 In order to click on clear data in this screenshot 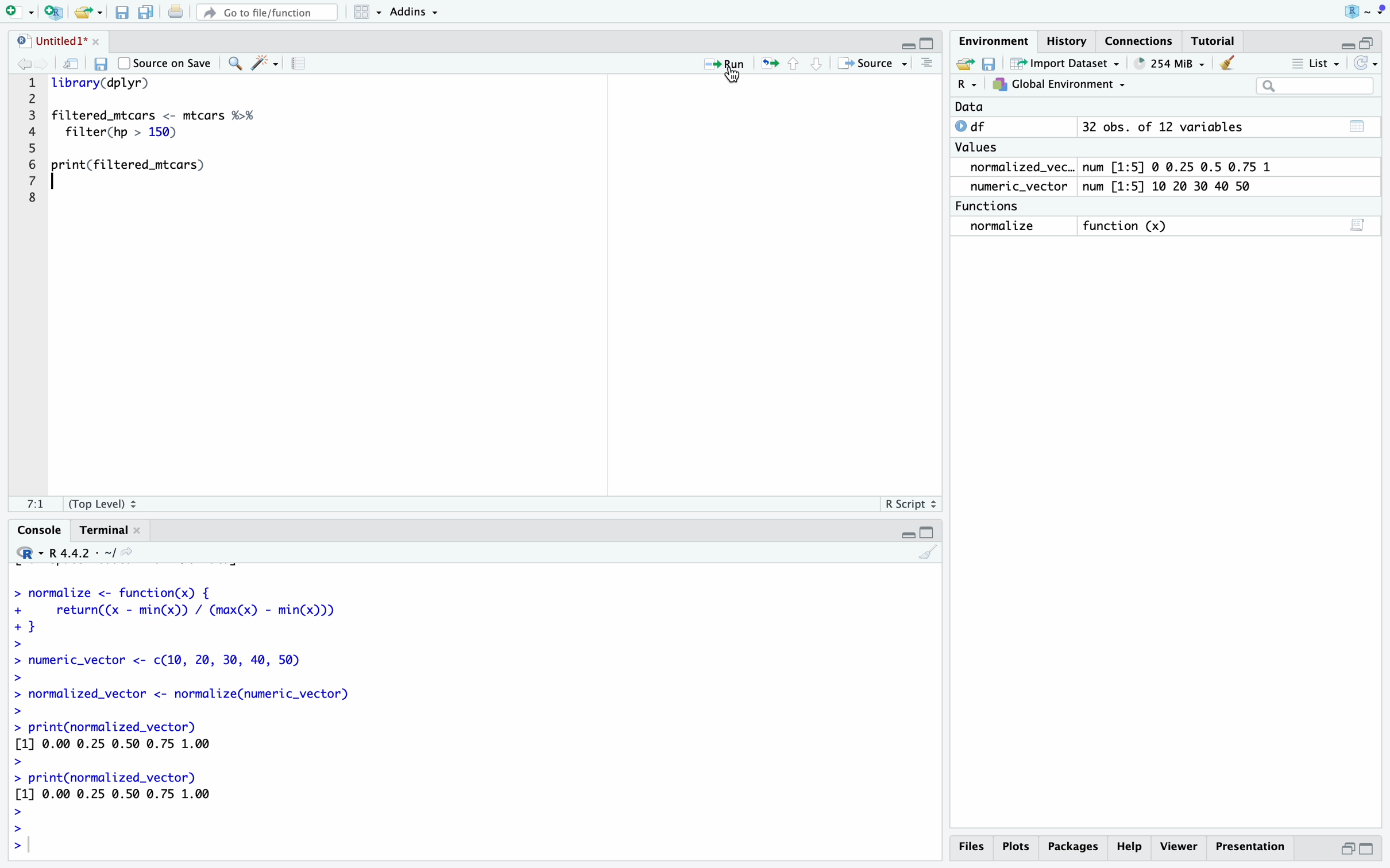, I will do `click(1230, 62)`.